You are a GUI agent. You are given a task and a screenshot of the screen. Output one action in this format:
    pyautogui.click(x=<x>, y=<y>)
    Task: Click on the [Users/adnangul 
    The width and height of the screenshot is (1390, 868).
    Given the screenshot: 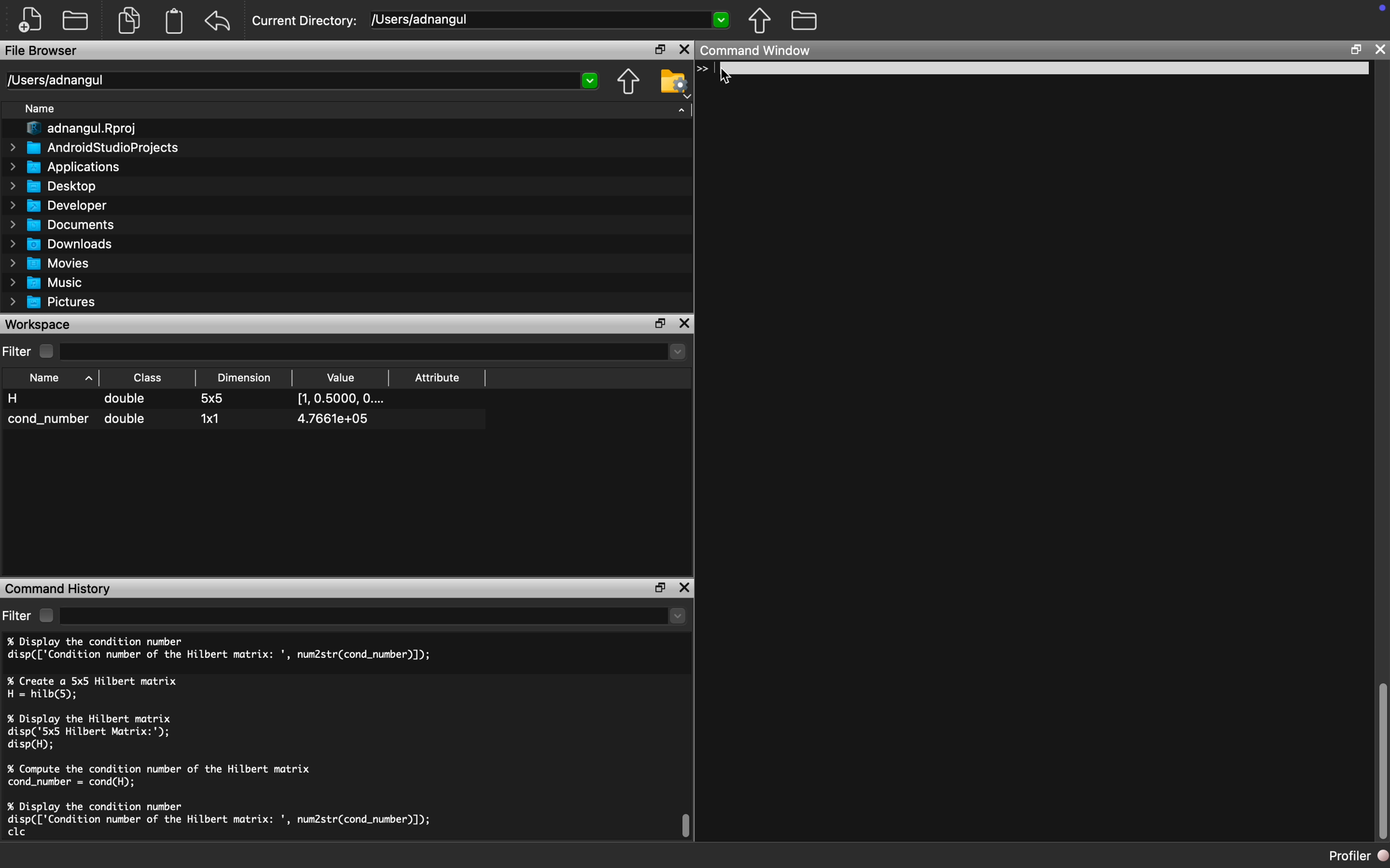 What is the action you would take?
    pyautogui.click(x=550, y=22)
    